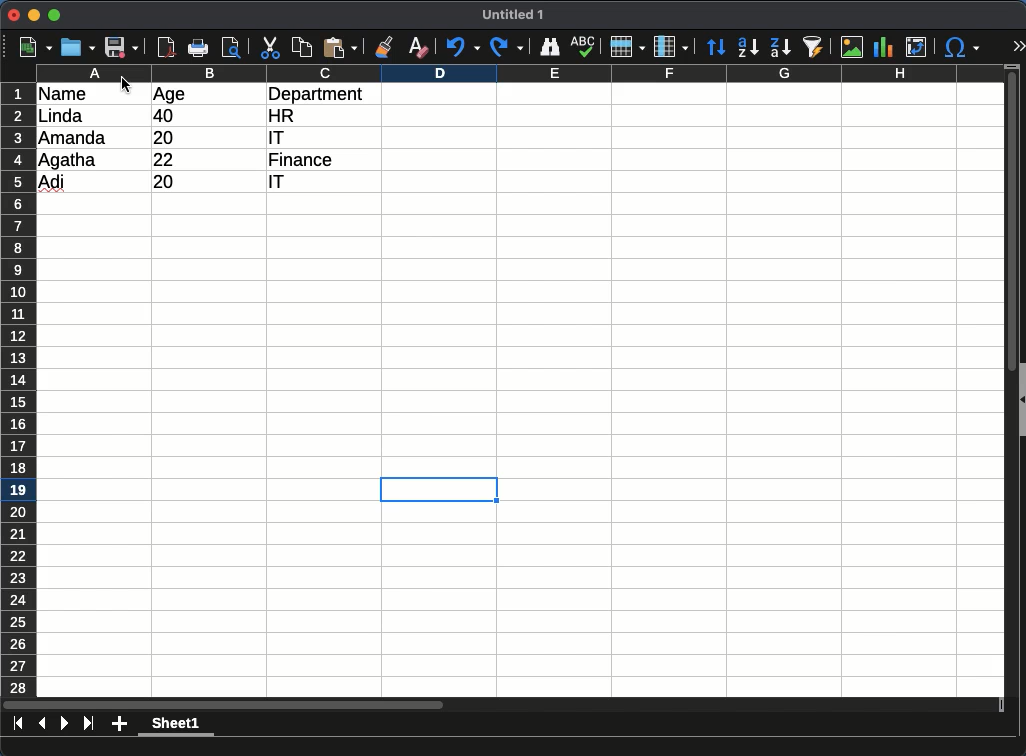 The width and height of the screenshot is (1026, 756). I want to click on finder, so click(552, 47).